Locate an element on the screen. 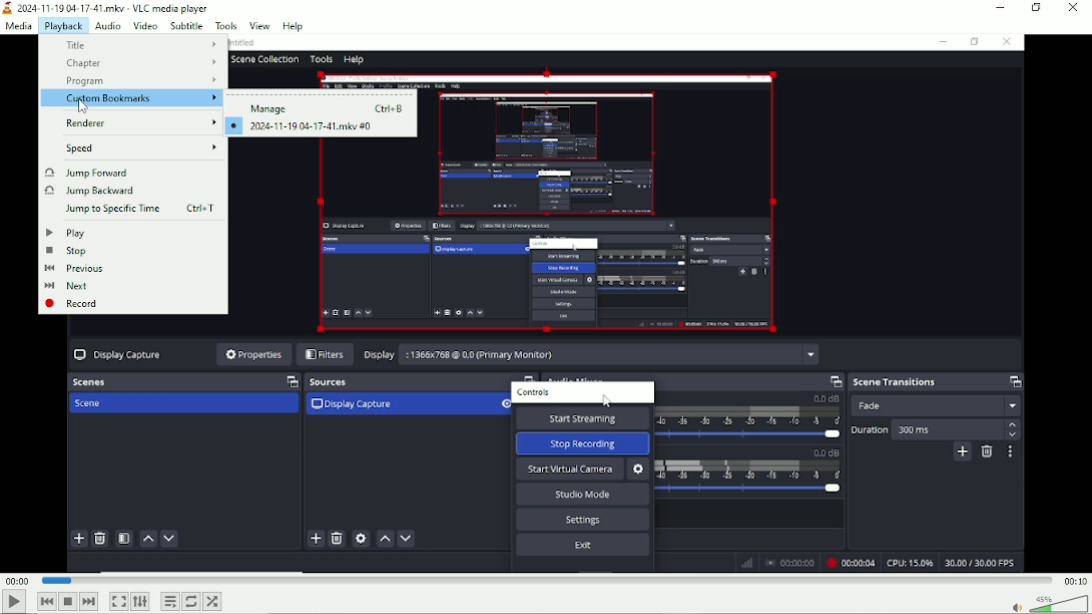 This screenshot has height=614, width=1092. Title is located at coordinates (138, 45).